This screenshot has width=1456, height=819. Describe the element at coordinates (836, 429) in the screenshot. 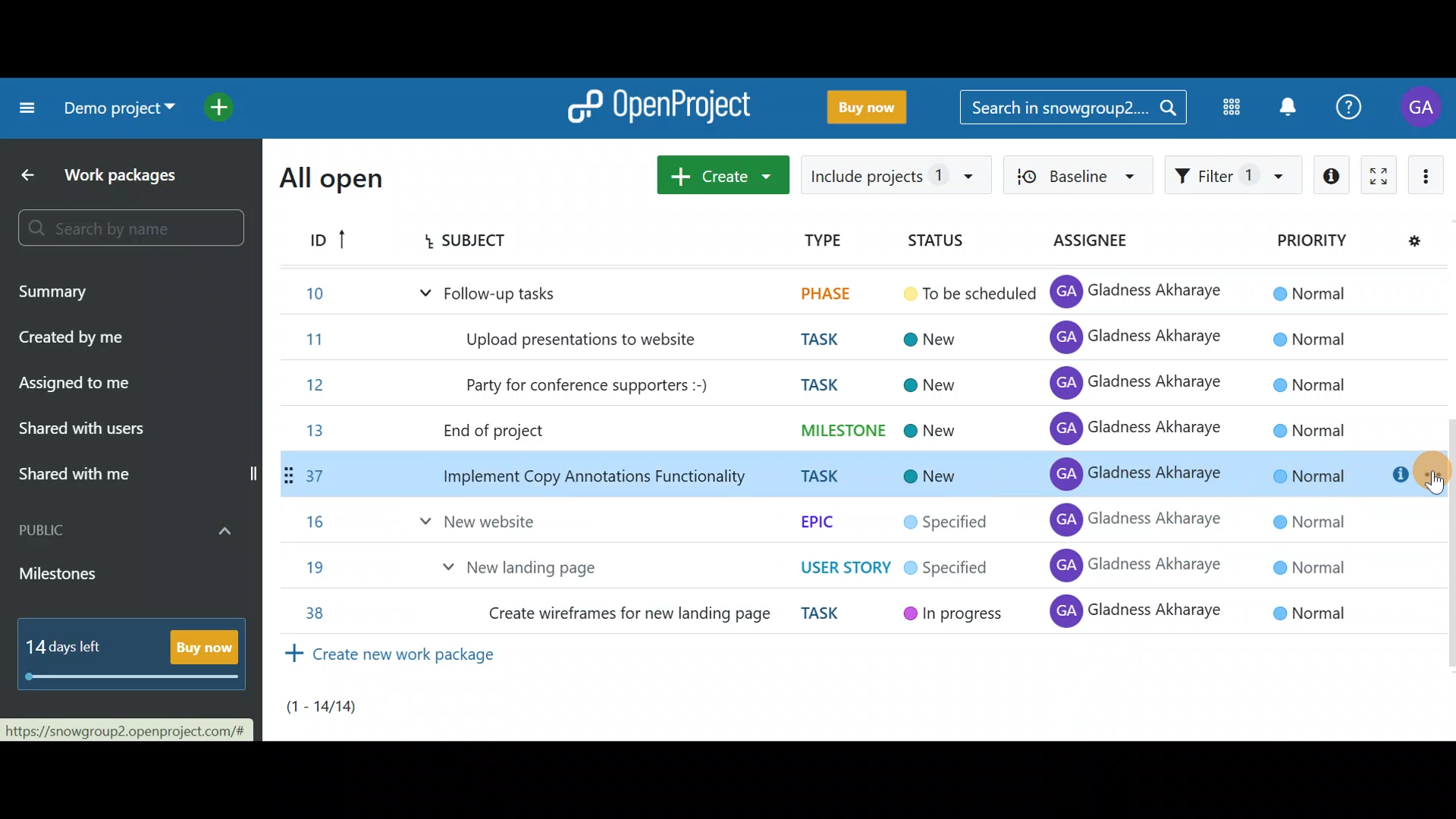

I see `MILESTONE` at that location.